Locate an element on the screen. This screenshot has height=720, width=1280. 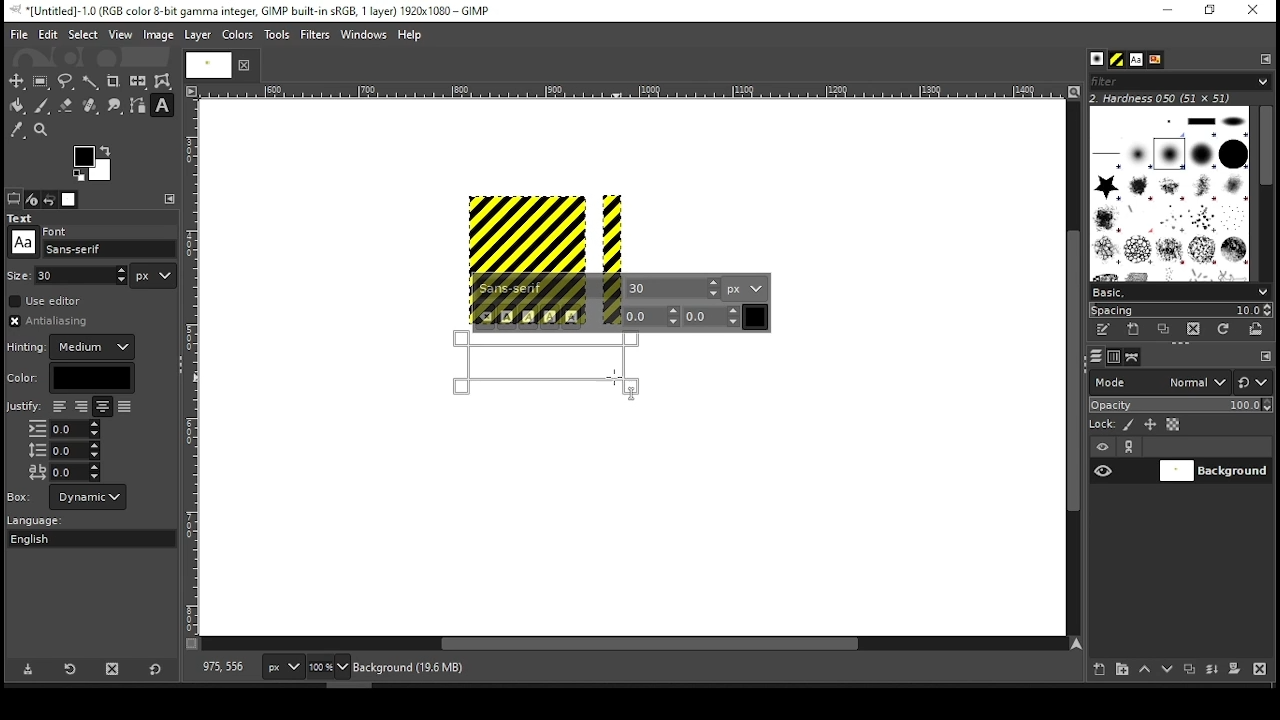
link is located at coordinates (1129, 447).